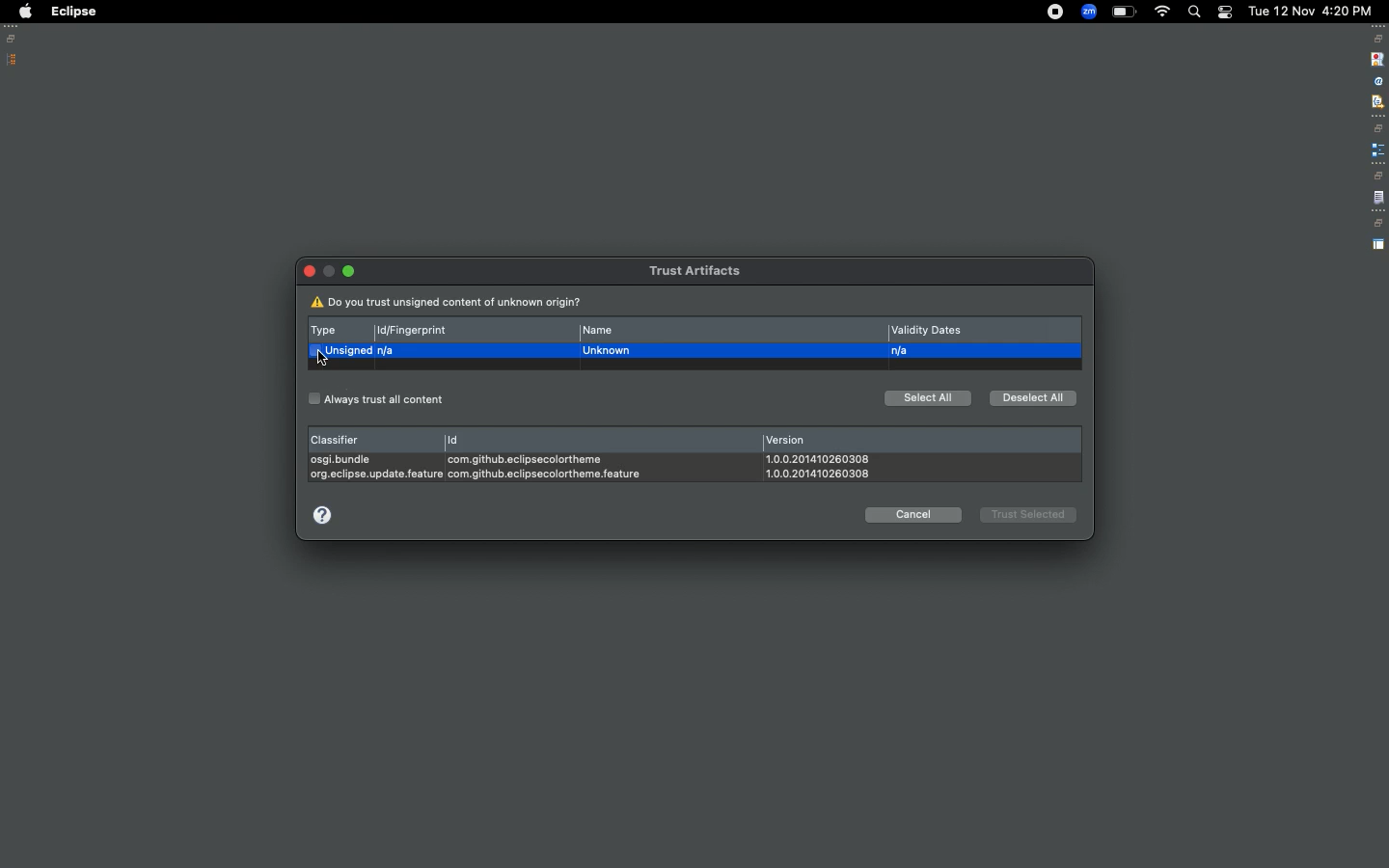 The width and height of the screenshot is (1389, 868). Describe the element at coordinates (416, 331) in the screenshot. I see `Id/fingerprint` at that location.